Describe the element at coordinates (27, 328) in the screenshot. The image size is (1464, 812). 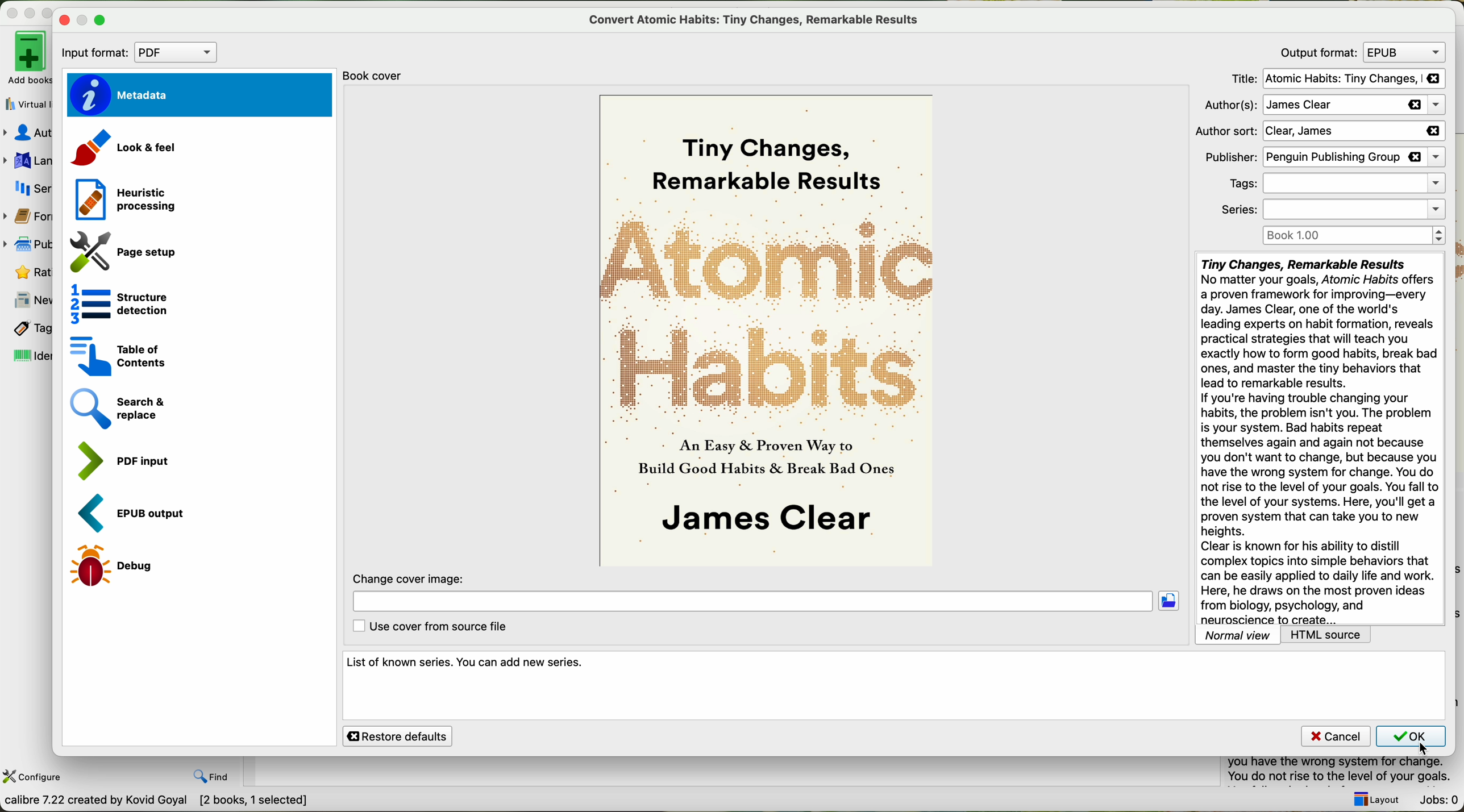
I see `tags` at that location.